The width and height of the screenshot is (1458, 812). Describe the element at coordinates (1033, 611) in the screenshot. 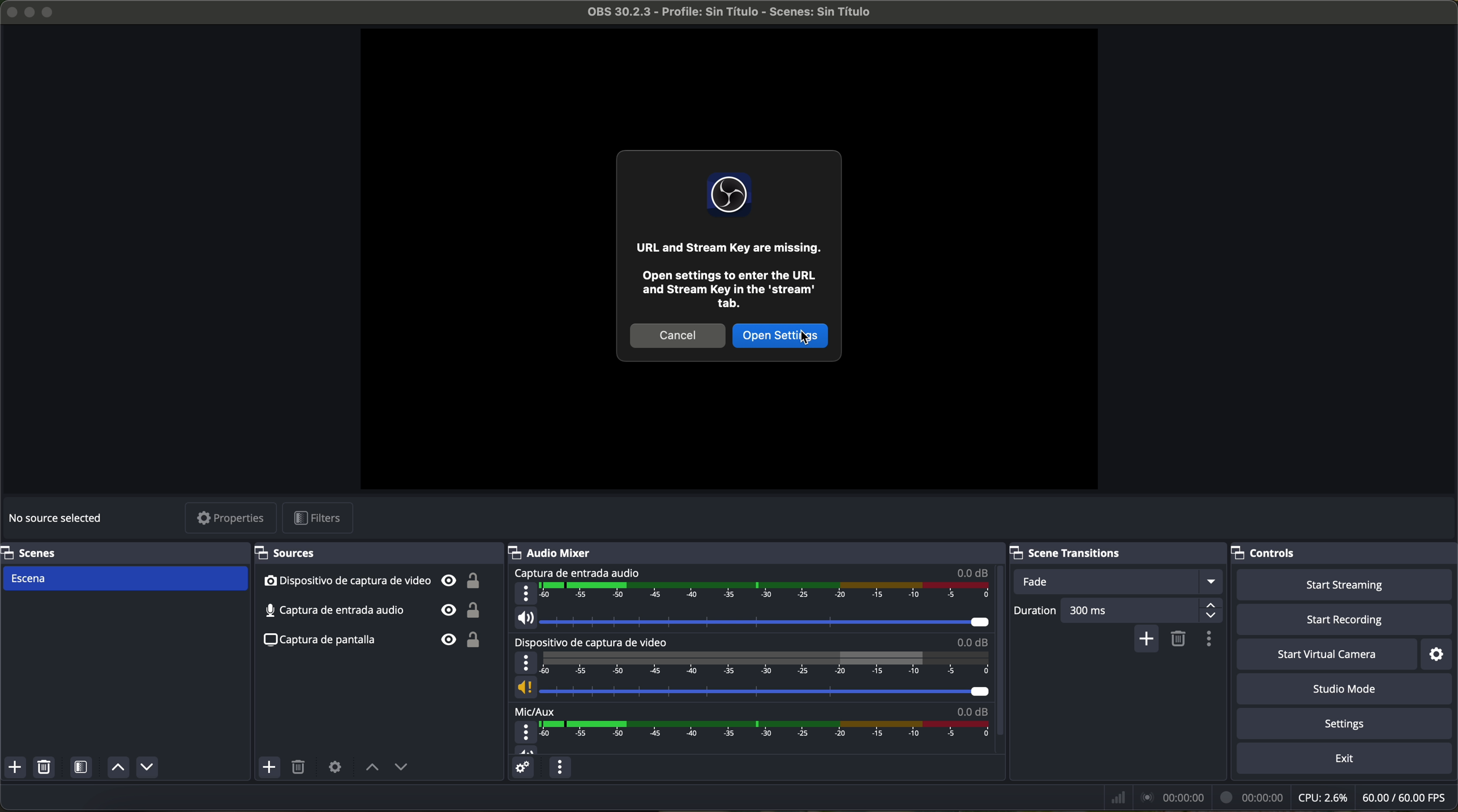

I see `duration` at that location.